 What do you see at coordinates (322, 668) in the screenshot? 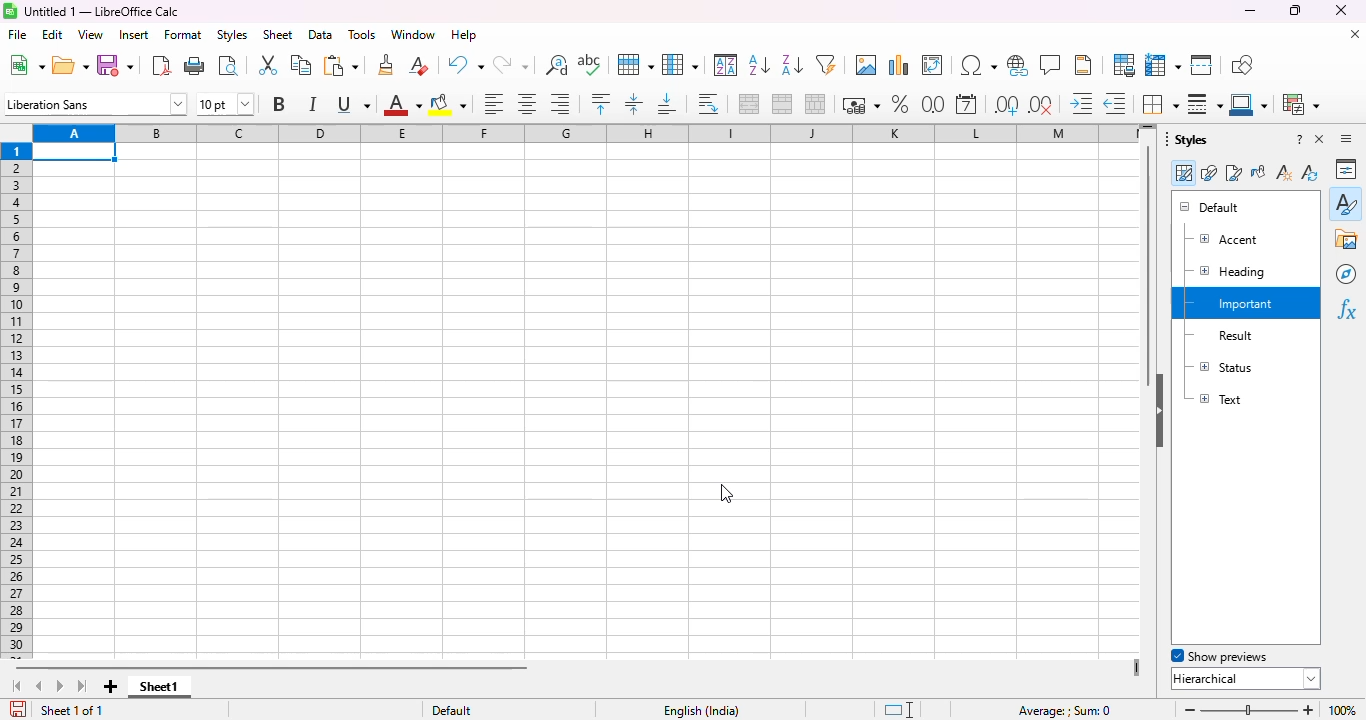
I see `horizontal scroll bar` at bounding box center [322, 668].